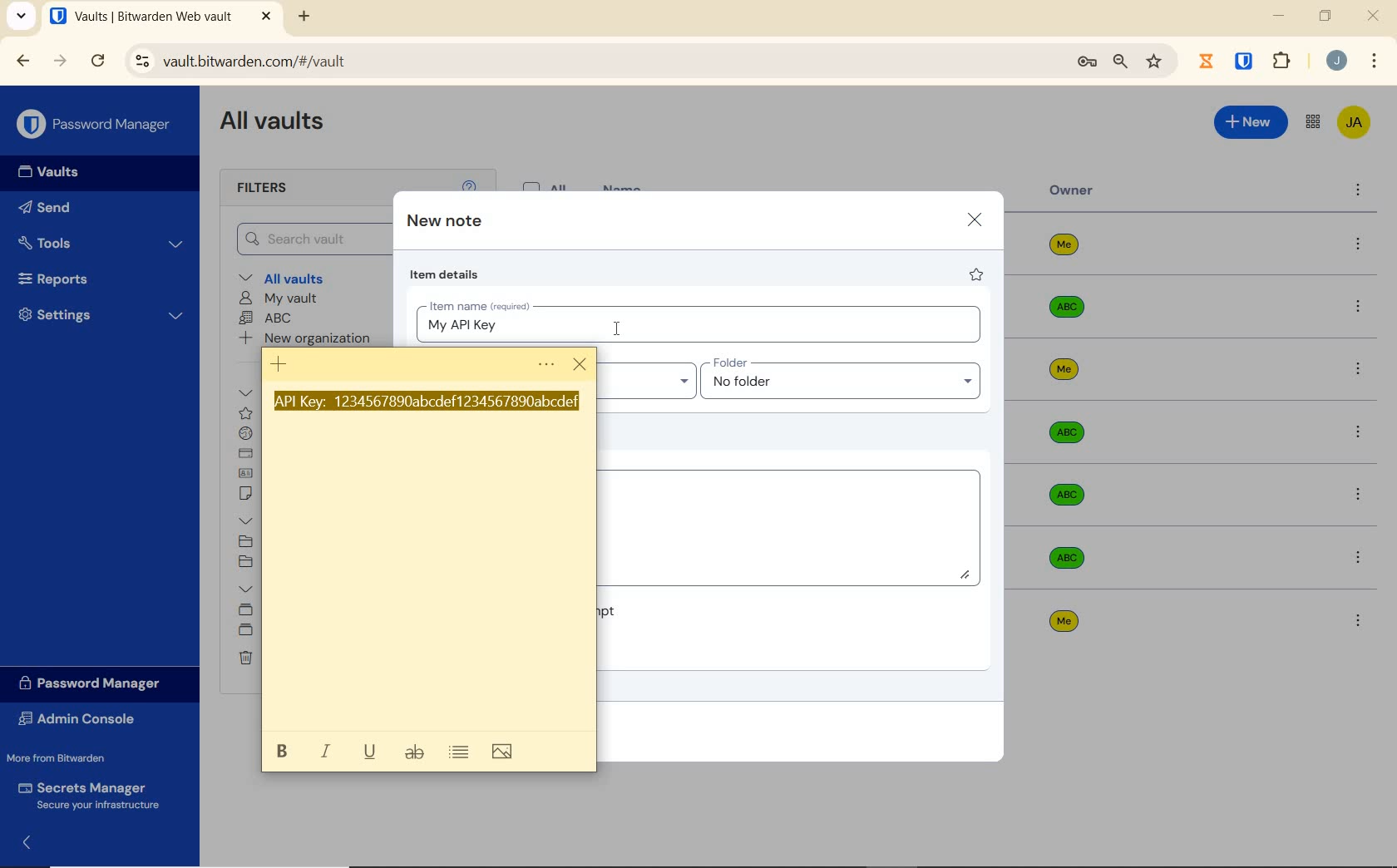 This screenshot has width=1397, height=868. Describe the element at coordinates (1358, 620) in the screenshot. I see `more options` at that location.